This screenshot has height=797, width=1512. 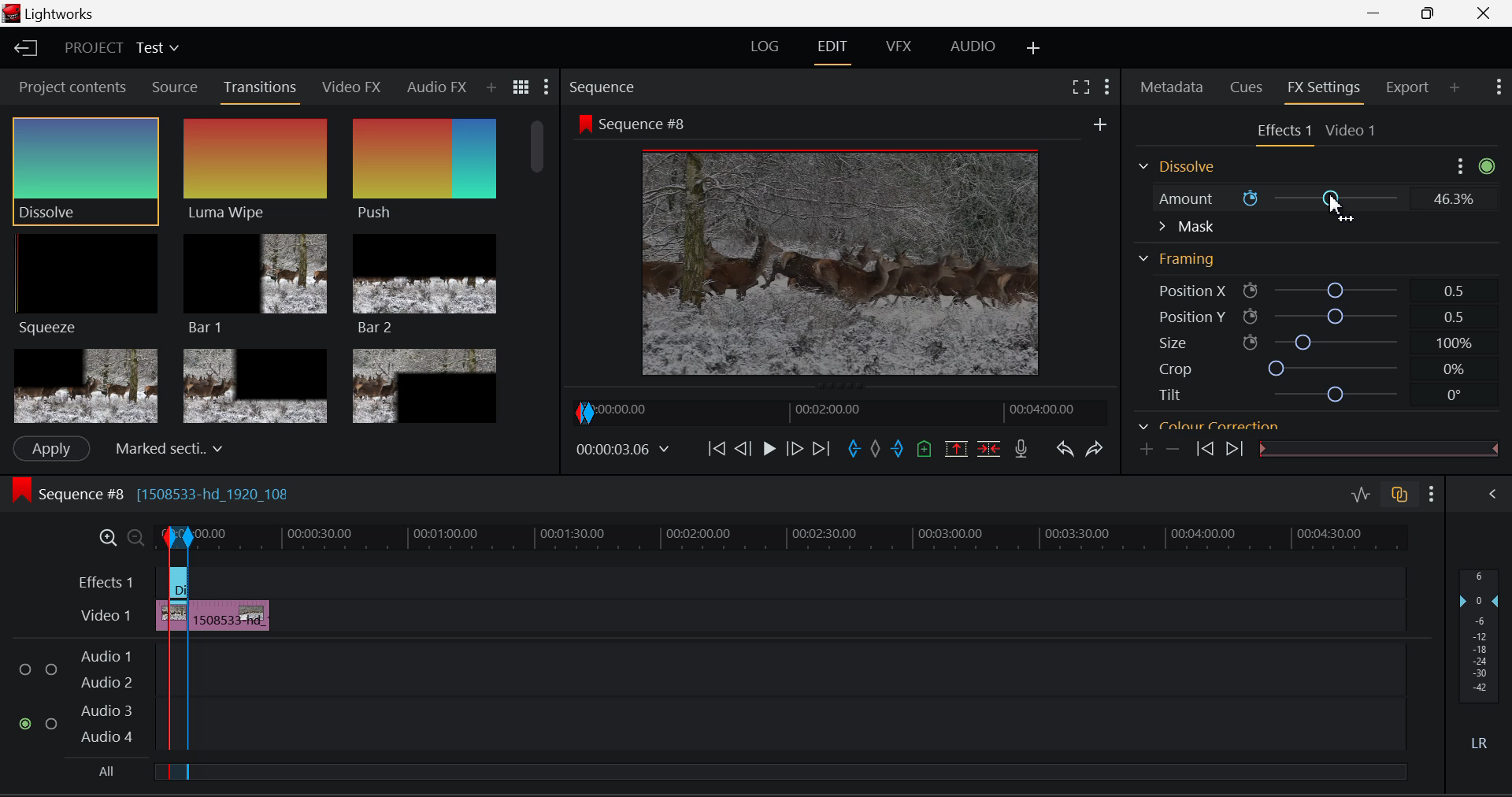 I want to click on FX Settings Open, so click(x=1327, y=89).